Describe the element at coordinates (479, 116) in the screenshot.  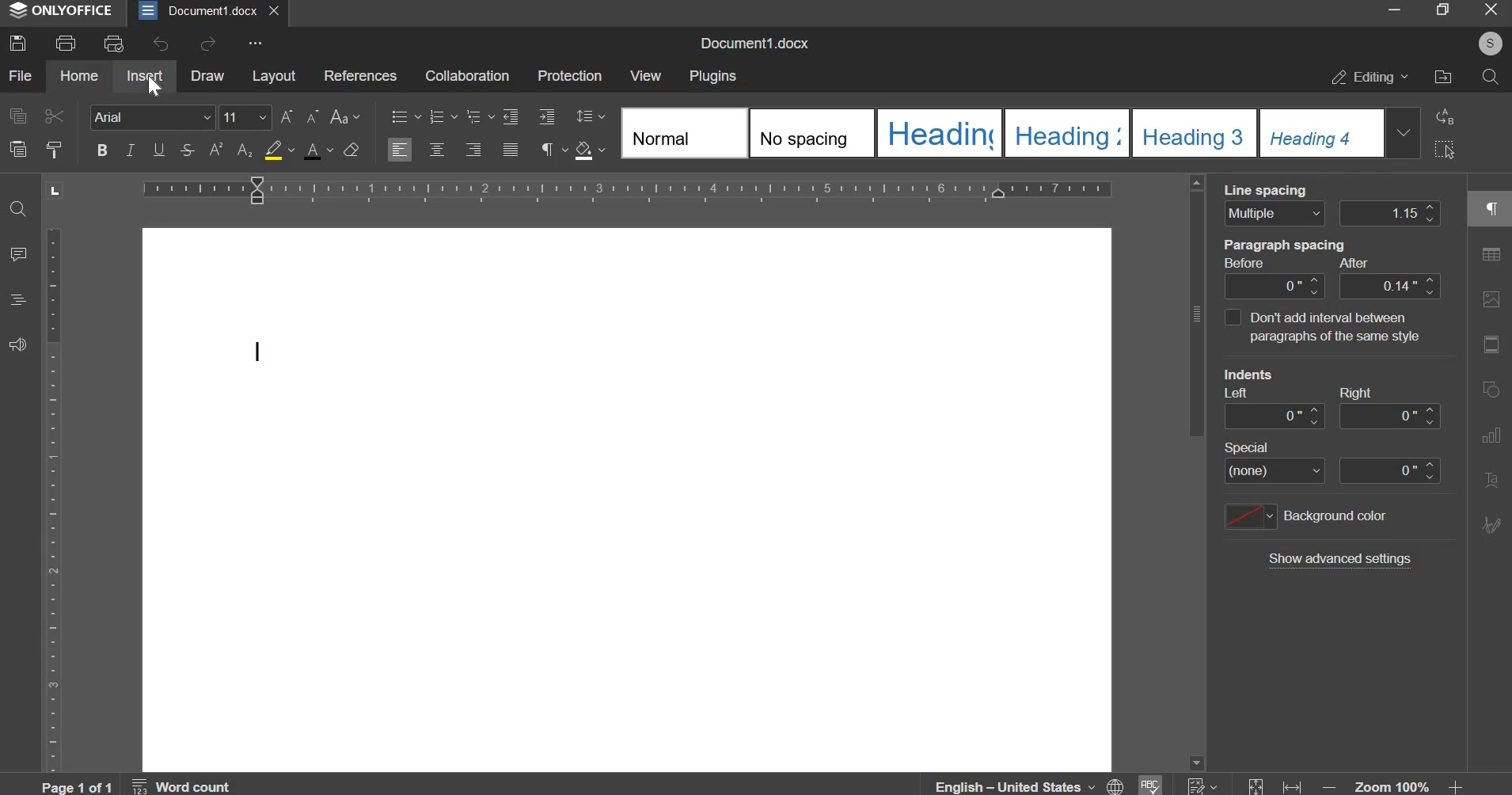
I see `numbering` at that location.